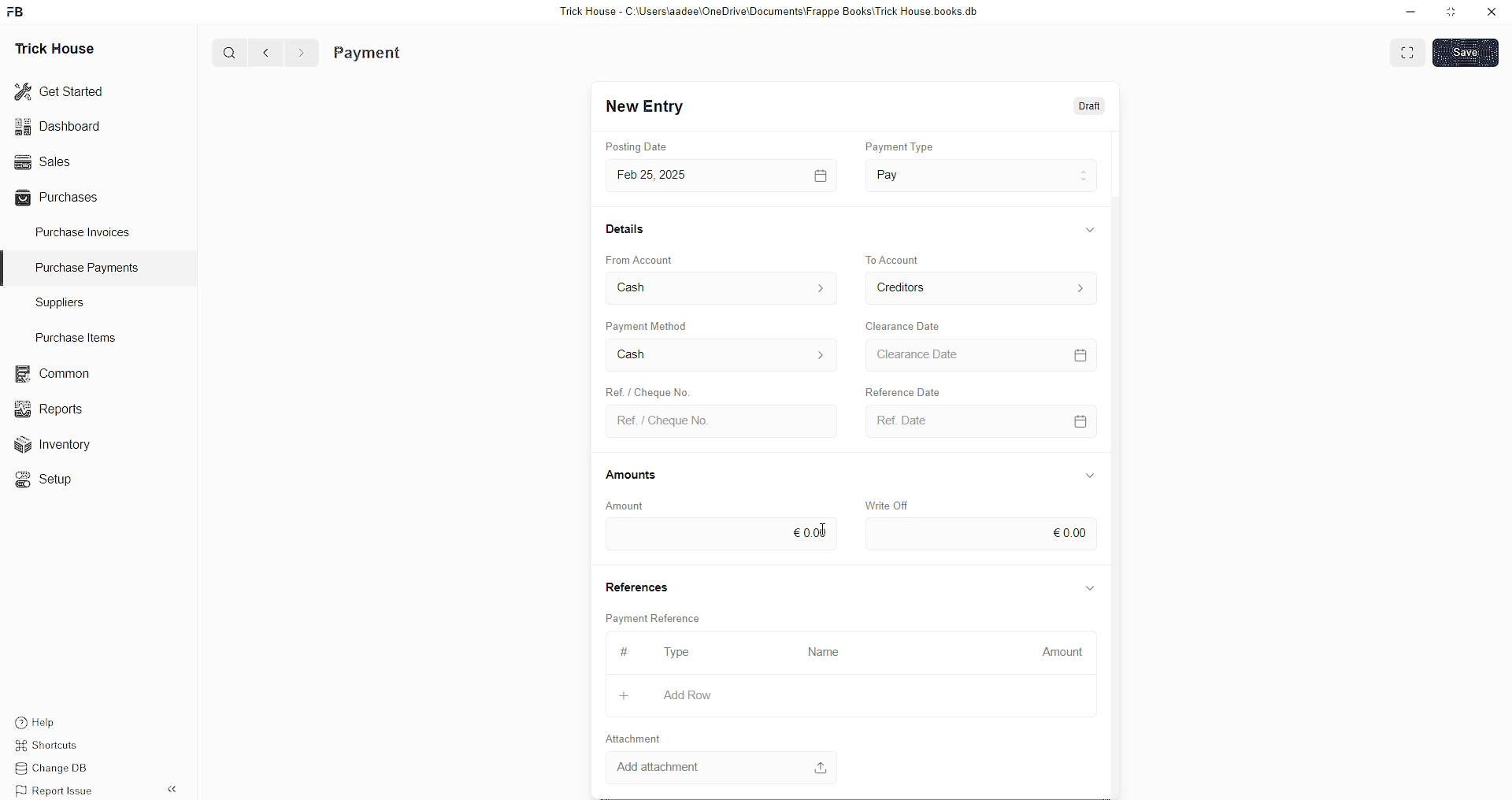 The image size is (1512, 800). I want to click on calendar, so click(814, 174).